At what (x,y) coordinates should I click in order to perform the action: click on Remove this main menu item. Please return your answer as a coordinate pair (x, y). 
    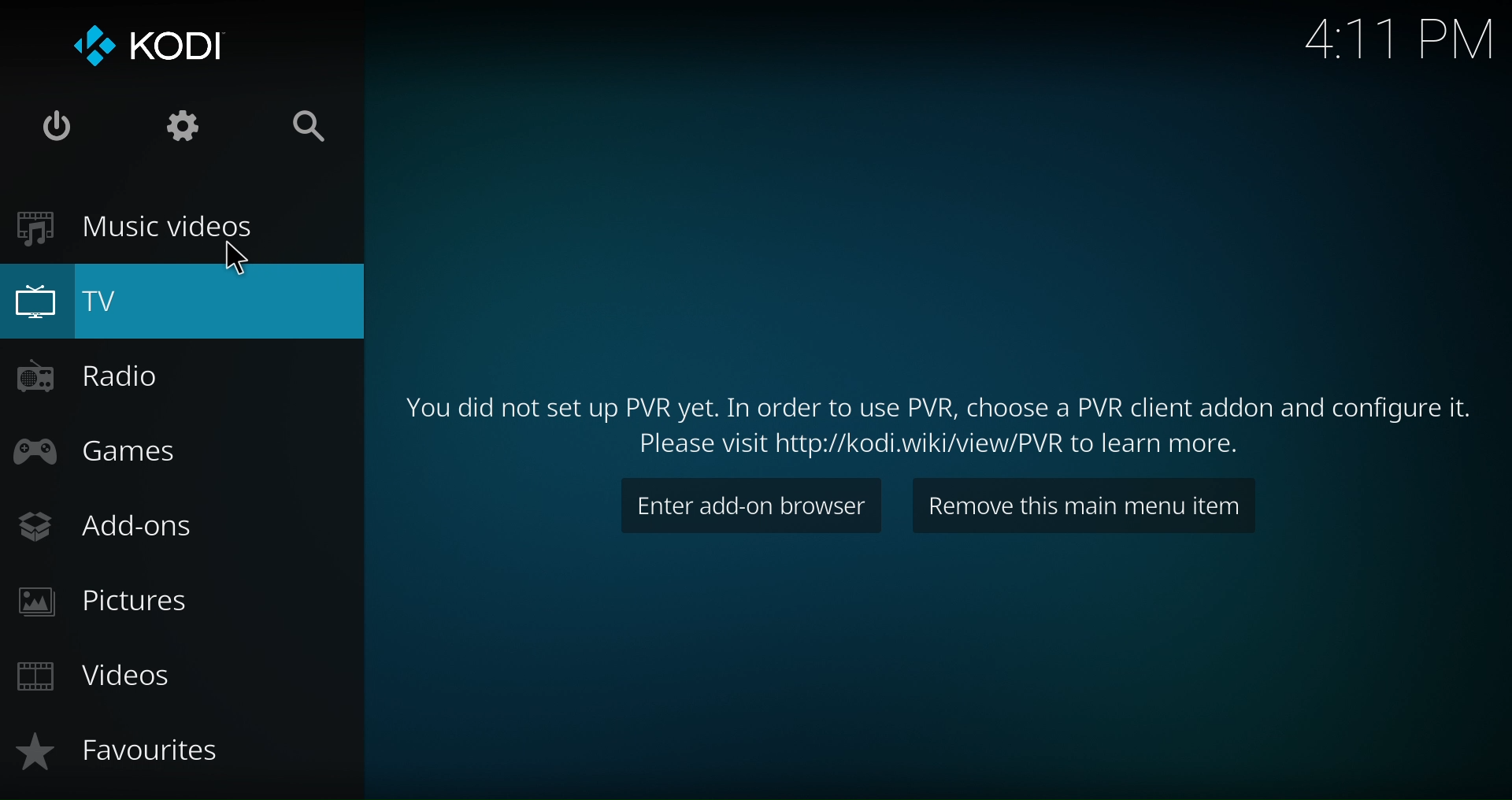
    Looking at the image, I should click on (1083, 506).